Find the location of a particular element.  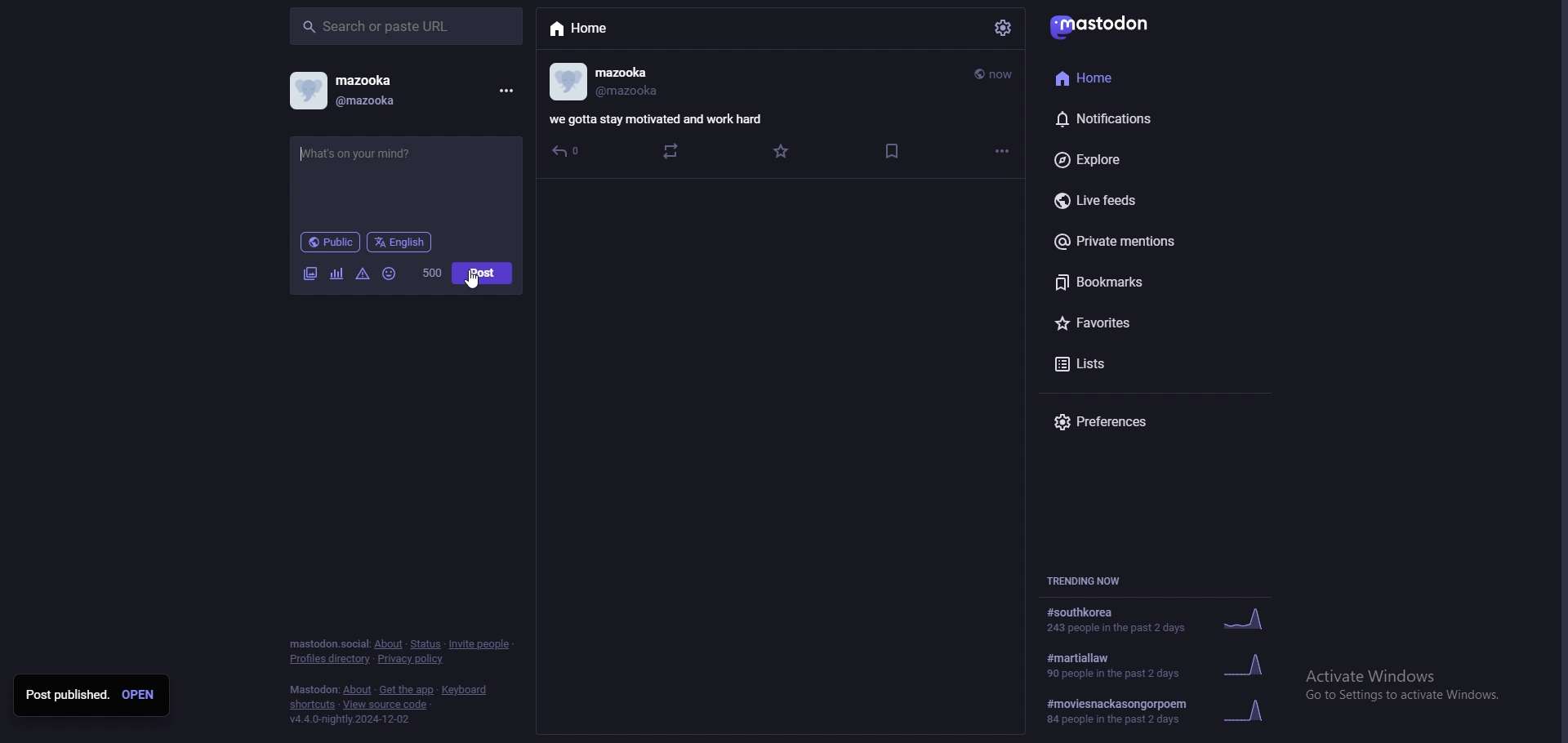

poll is located at coordinates (336, 274).